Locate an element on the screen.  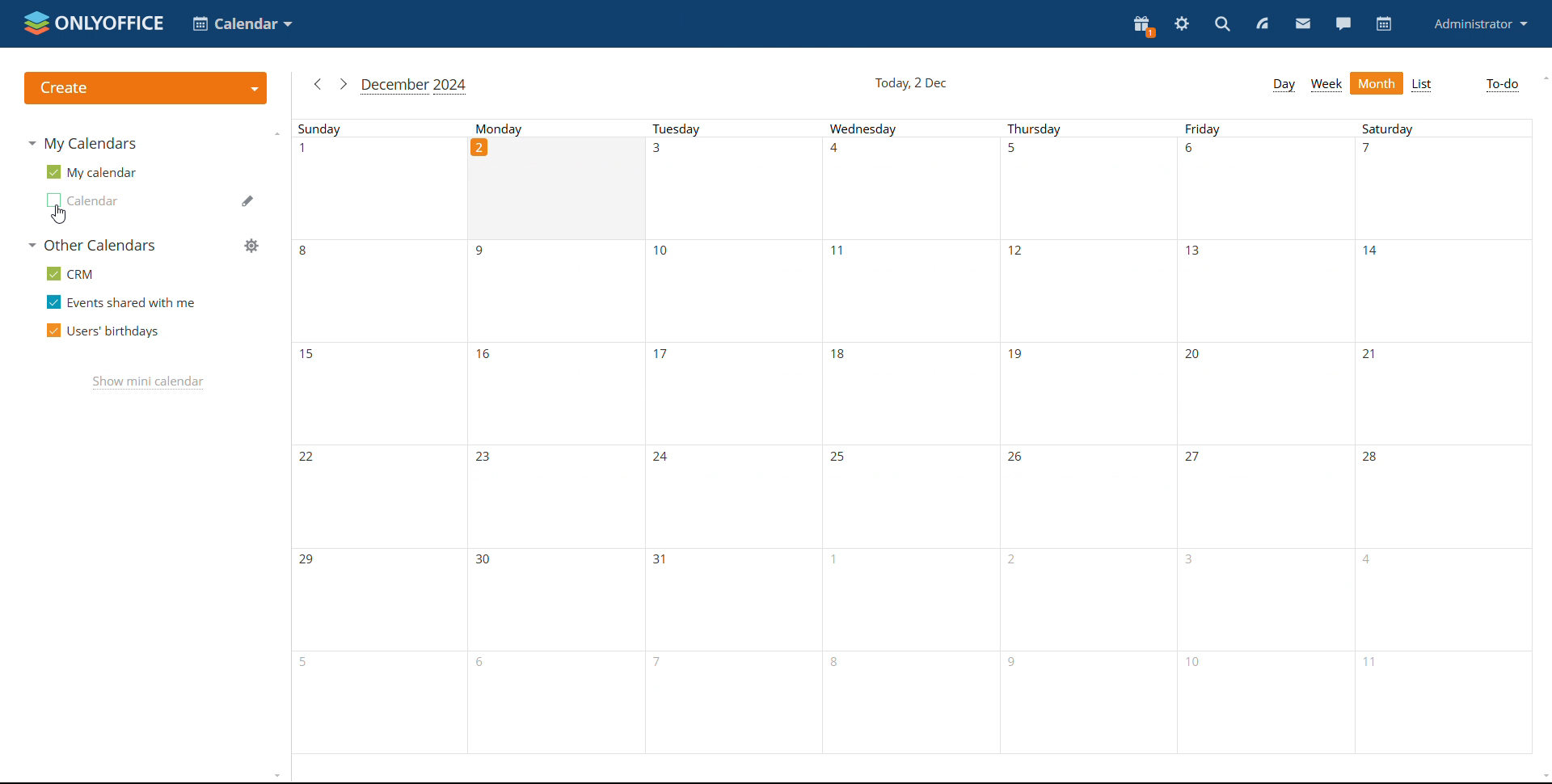
13 is located at coordinates (1269, 291).